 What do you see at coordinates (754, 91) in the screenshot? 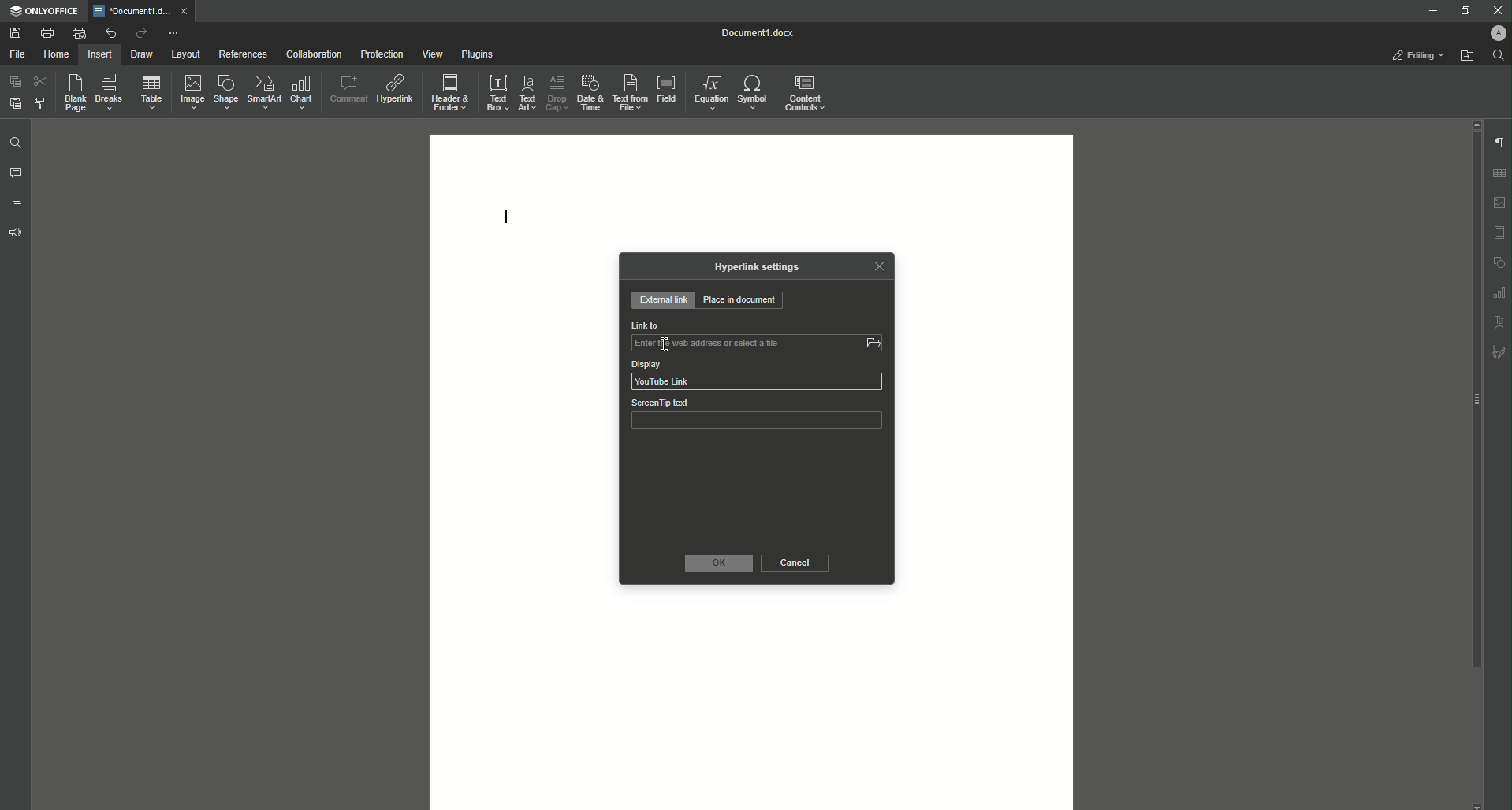
I see `Symbol` at bounding box center [754, 91].